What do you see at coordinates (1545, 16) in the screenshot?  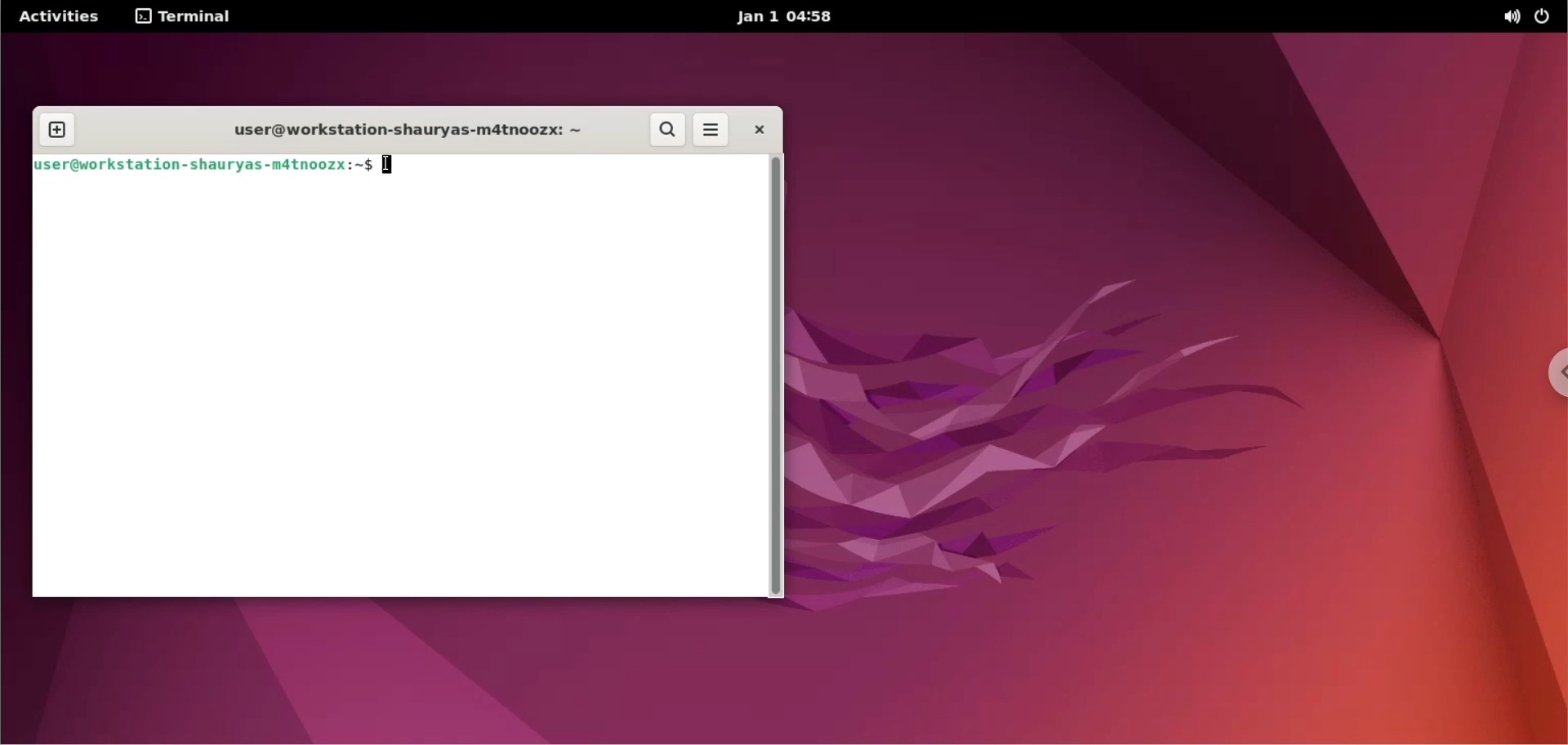 I see `power options` at bounding box center [1545, 16].